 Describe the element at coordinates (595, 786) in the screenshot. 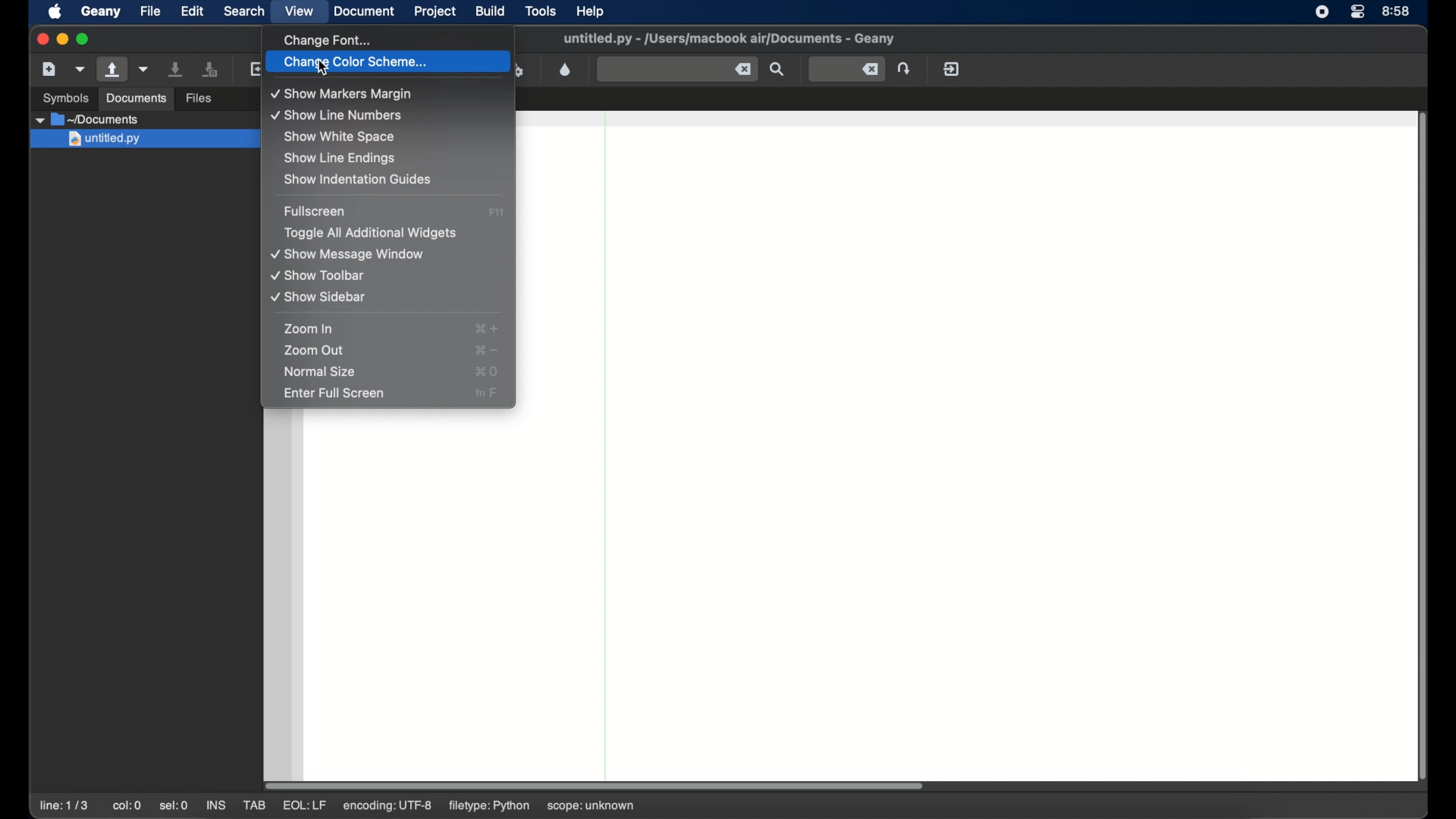

I see `scroll box` at that location.